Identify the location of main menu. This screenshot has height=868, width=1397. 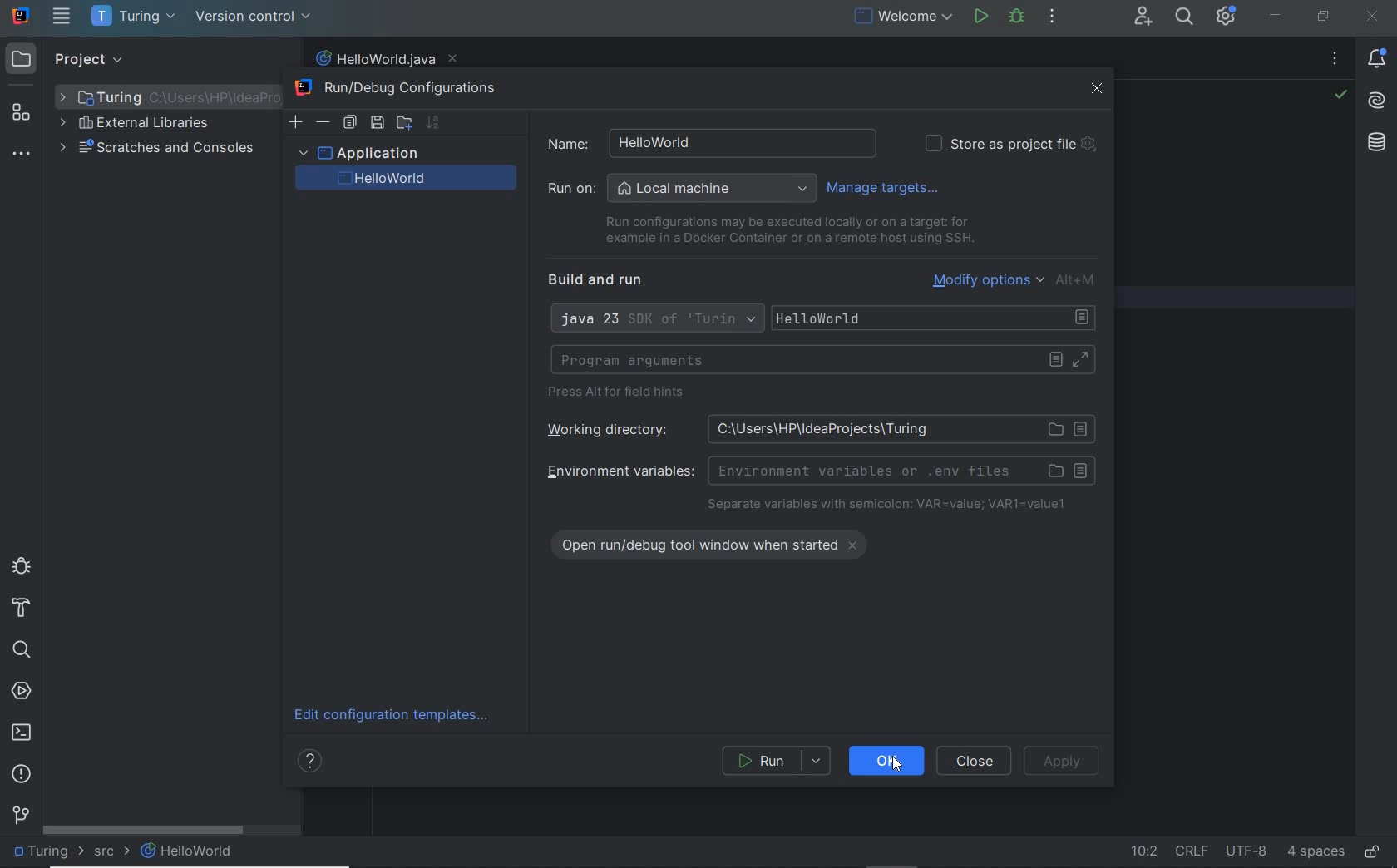
(62, 16).